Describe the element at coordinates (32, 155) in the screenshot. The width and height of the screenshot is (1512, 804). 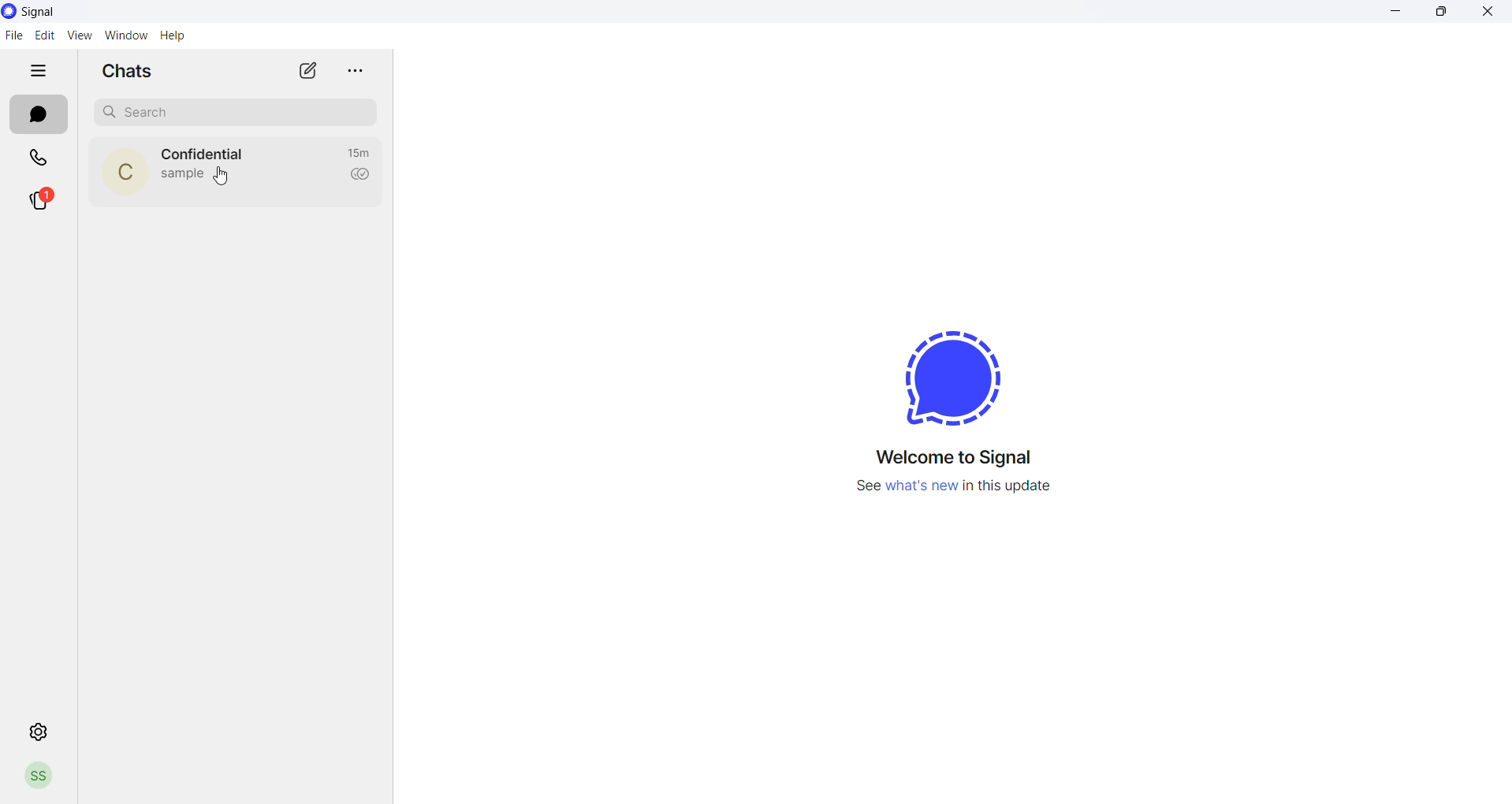
I see `call` at that location.